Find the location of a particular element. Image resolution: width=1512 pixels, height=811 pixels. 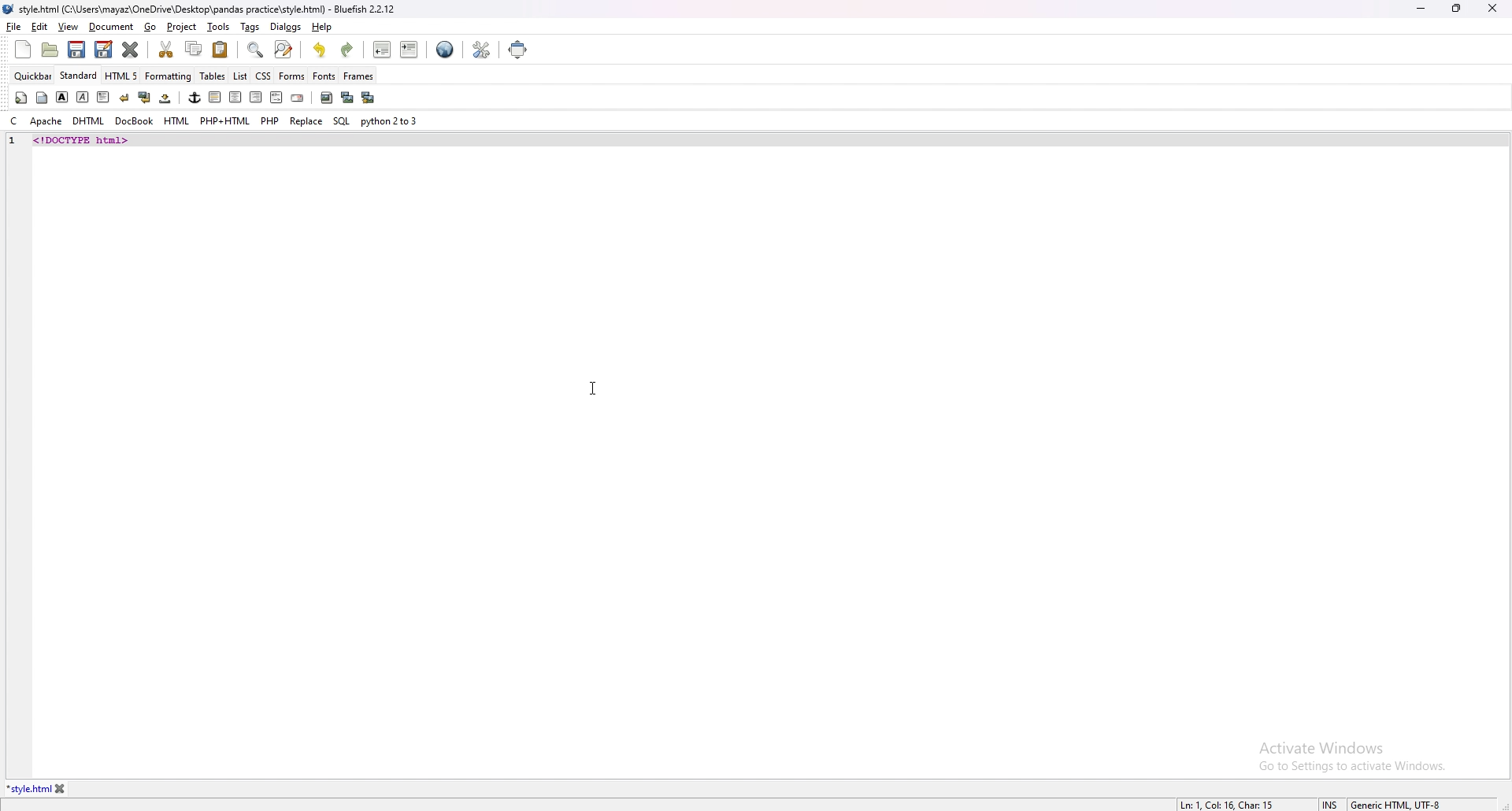

paragraph is located at coordinates (102, 96).